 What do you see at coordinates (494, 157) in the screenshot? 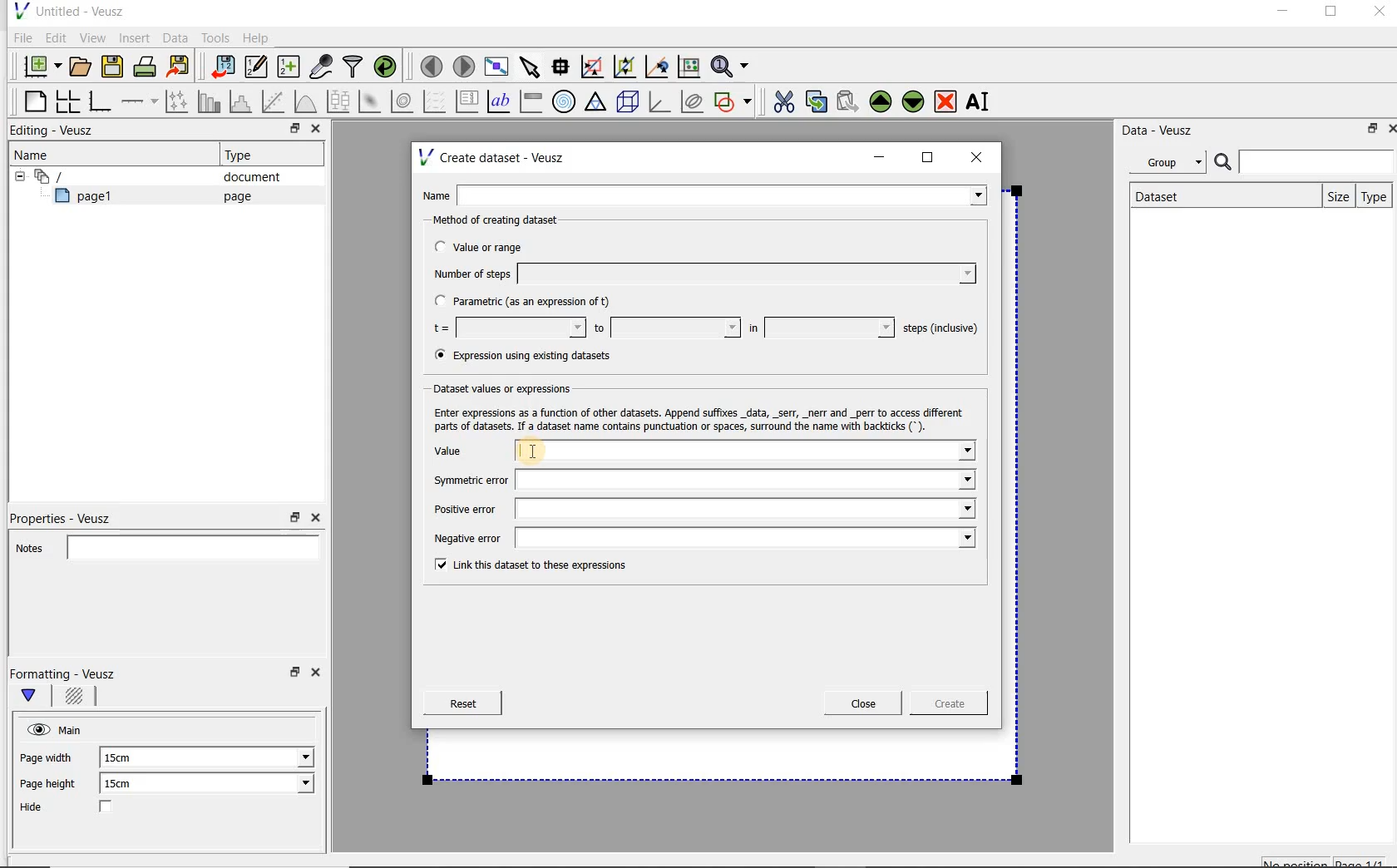
I see `Create dataset - Veusz` at bounding box center [494, 157].